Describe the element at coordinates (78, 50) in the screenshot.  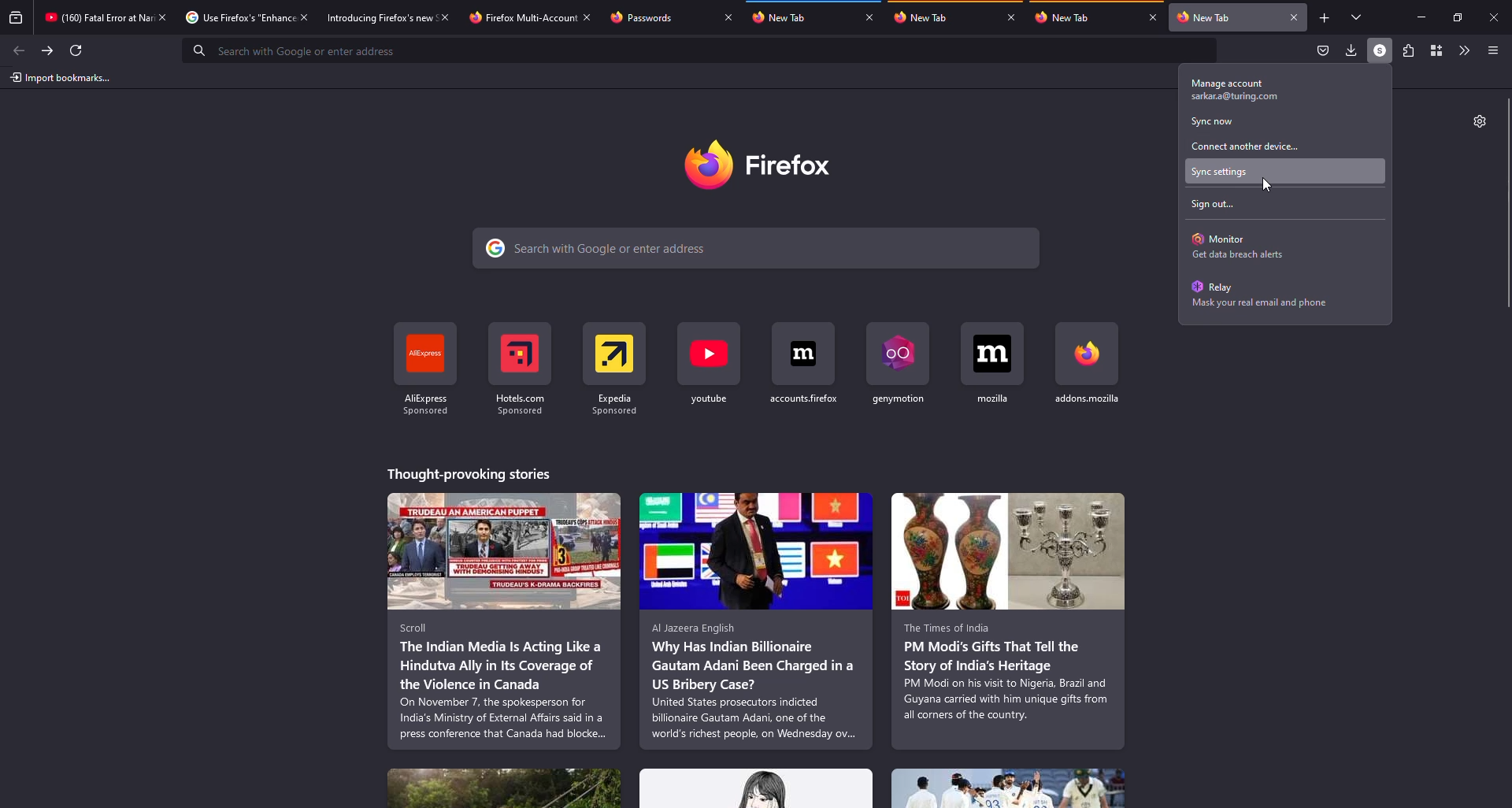
I see `refresh` at that location.